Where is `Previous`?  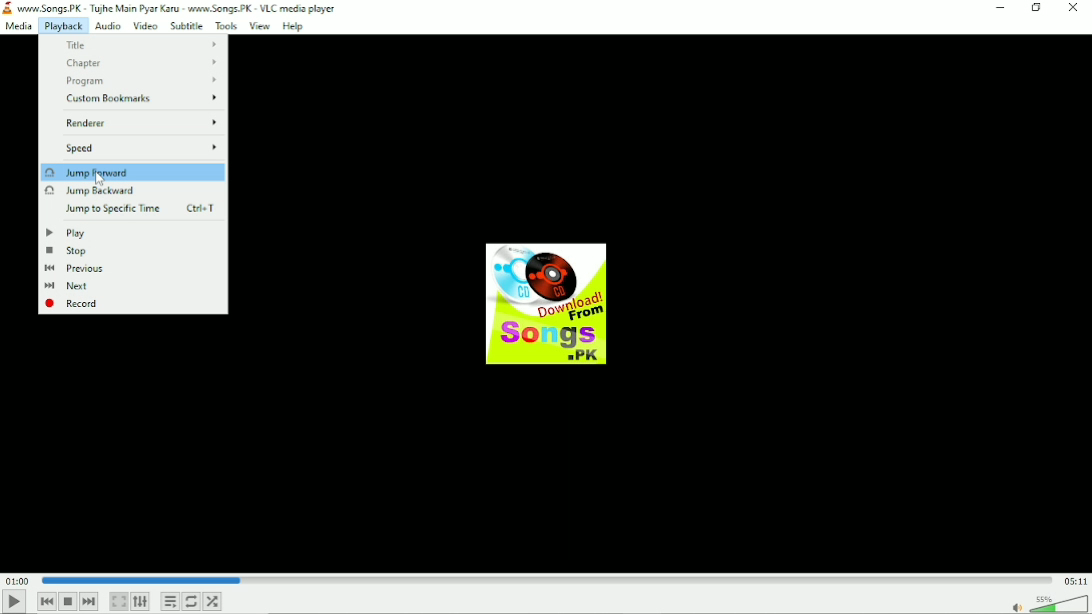 Previous is located at coordinates (47, 602).